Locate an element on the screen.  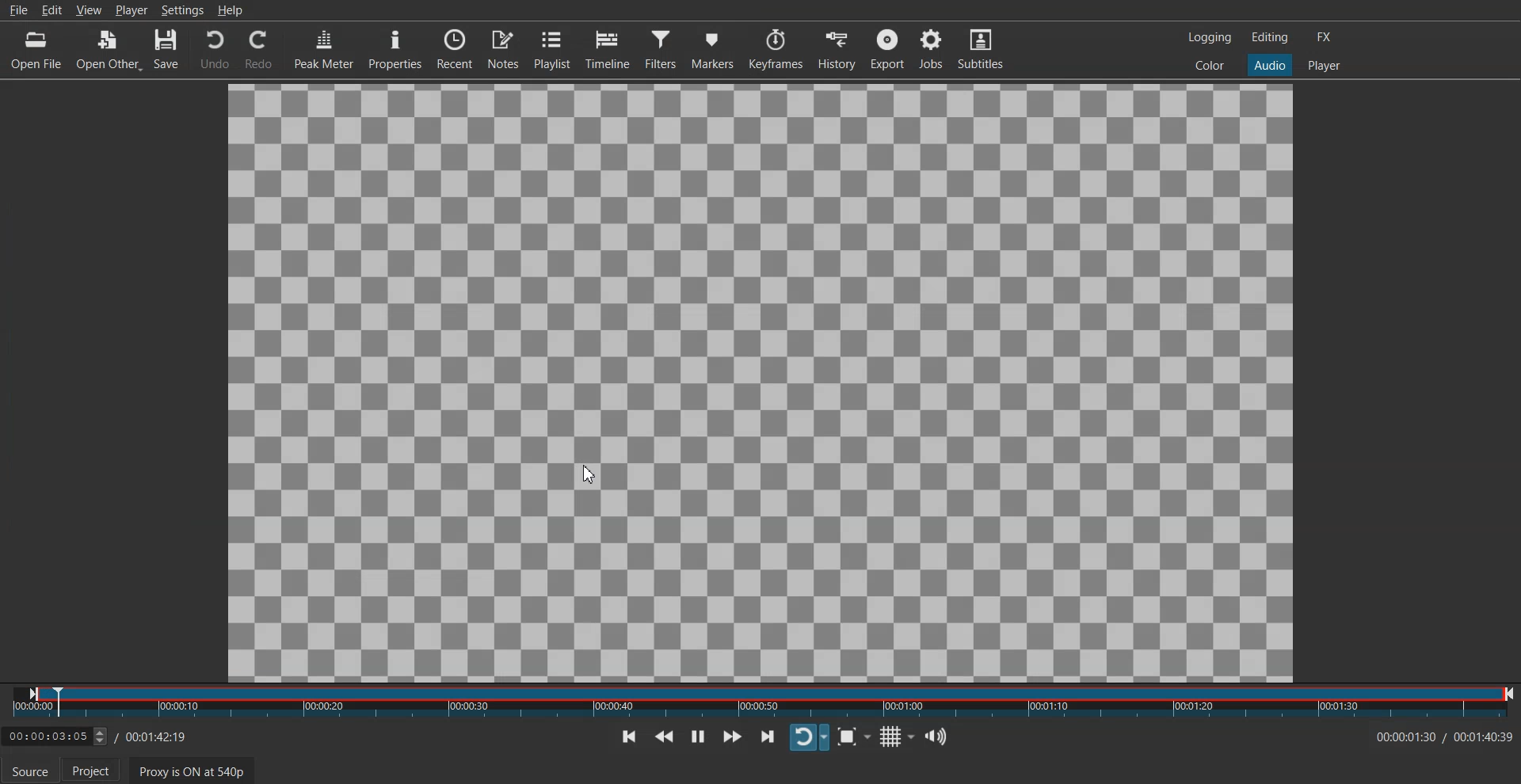
View is located at coordinates (89, 10).